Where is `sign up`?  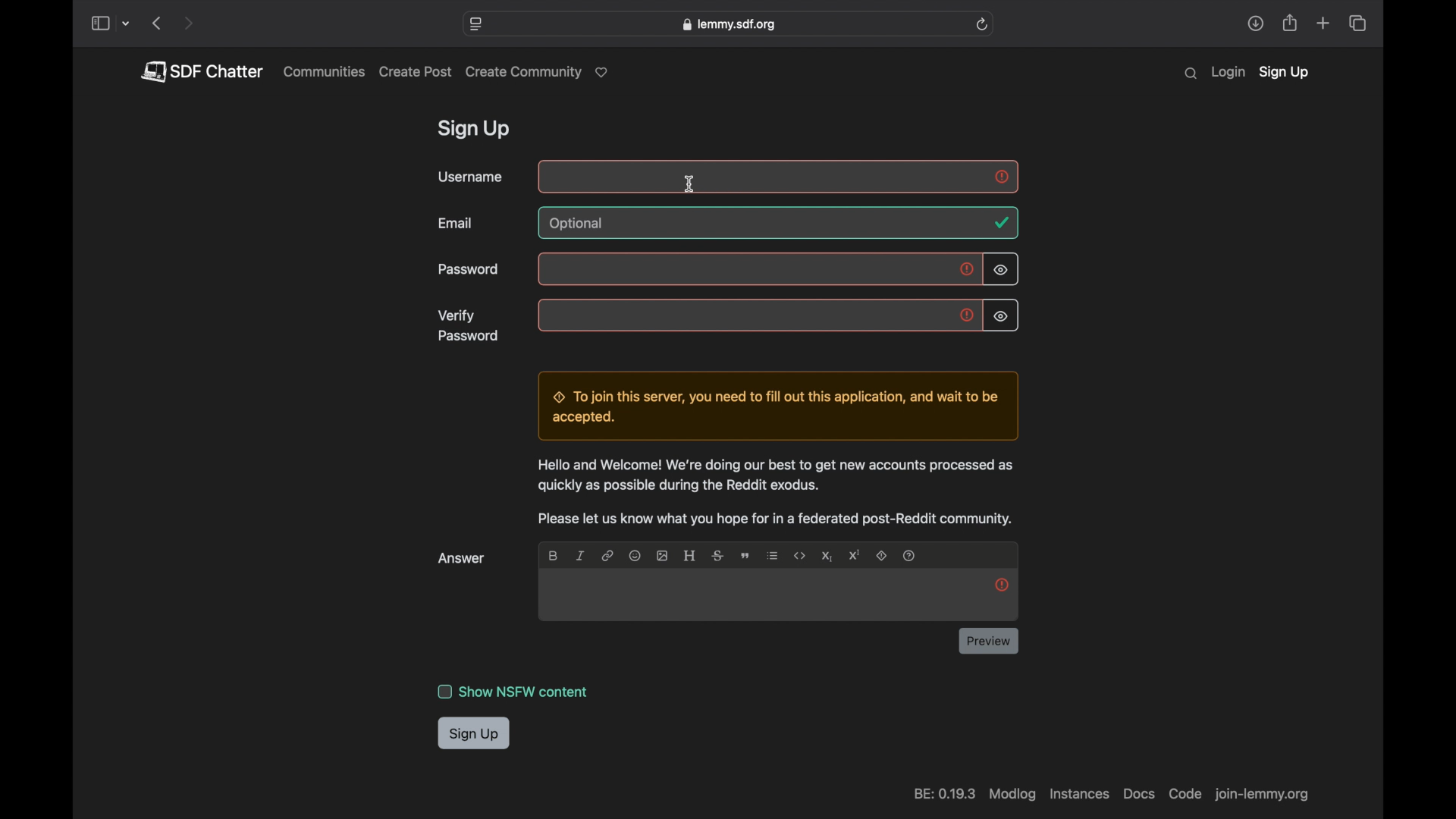 sign up is located at coordinates (1284, 74).